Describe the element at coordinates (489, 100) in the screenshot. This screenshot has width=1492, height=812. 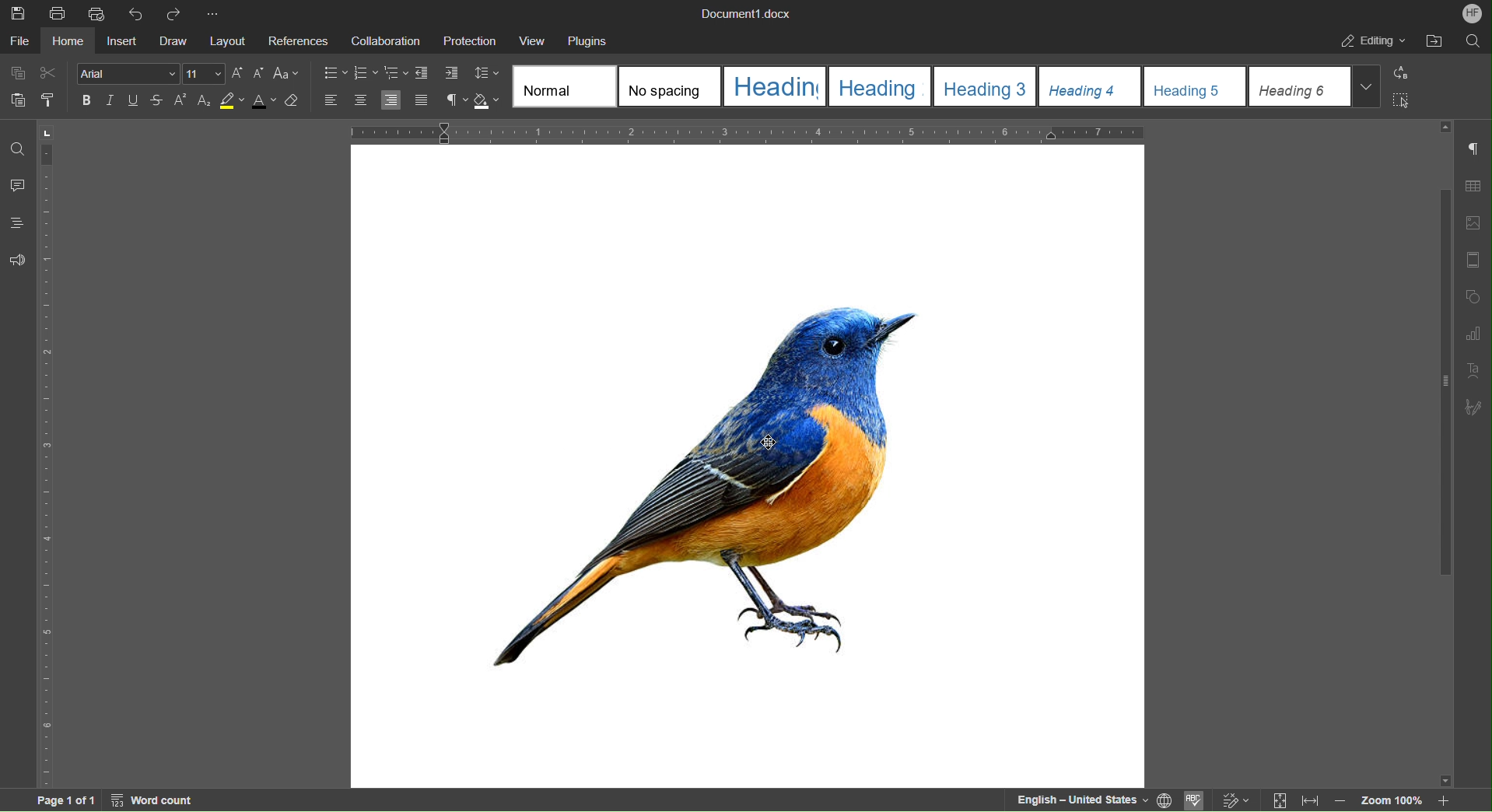
I see `Shadow` at that location.